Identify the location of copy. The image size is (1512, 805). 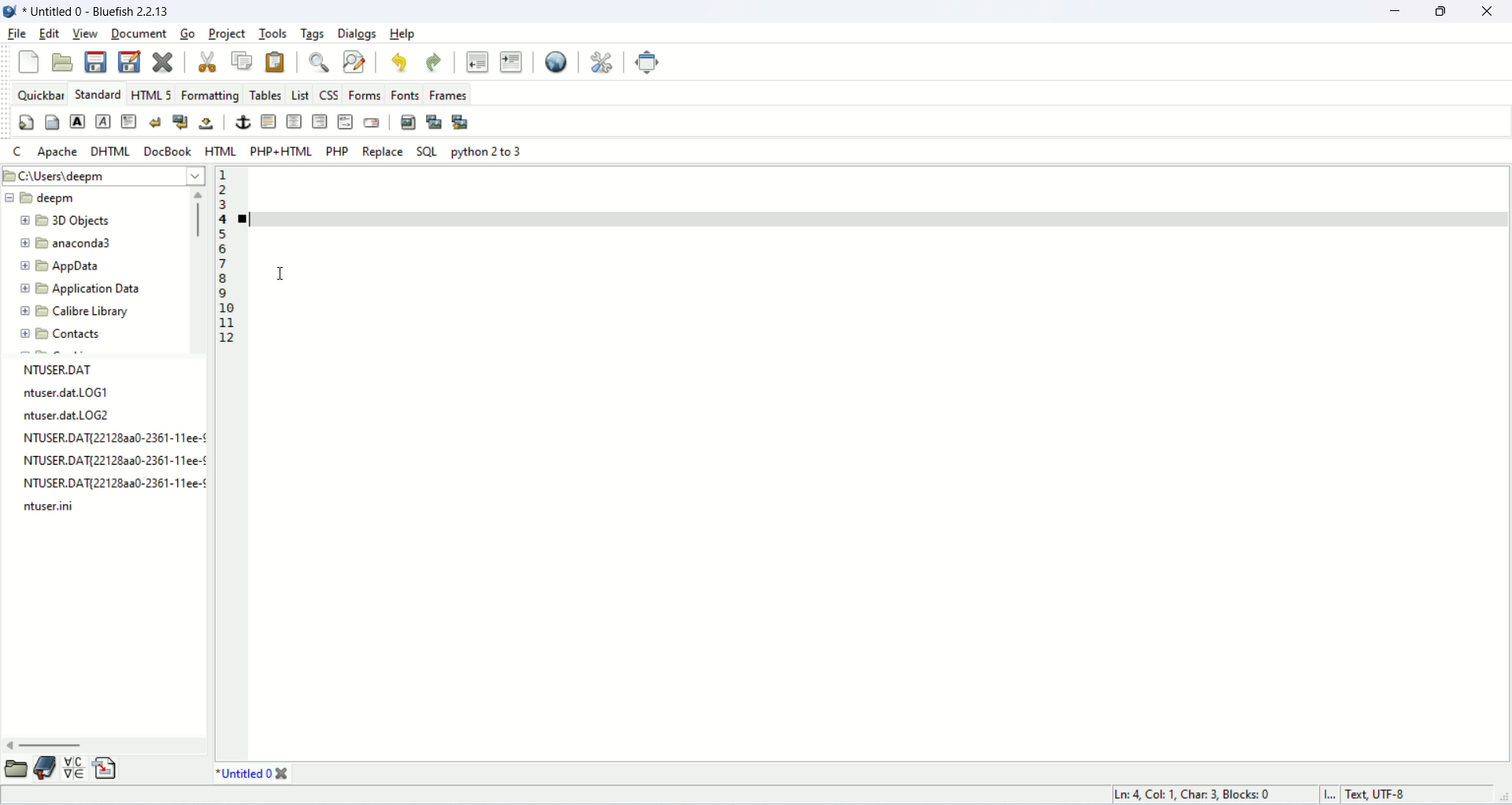
(244, 61).